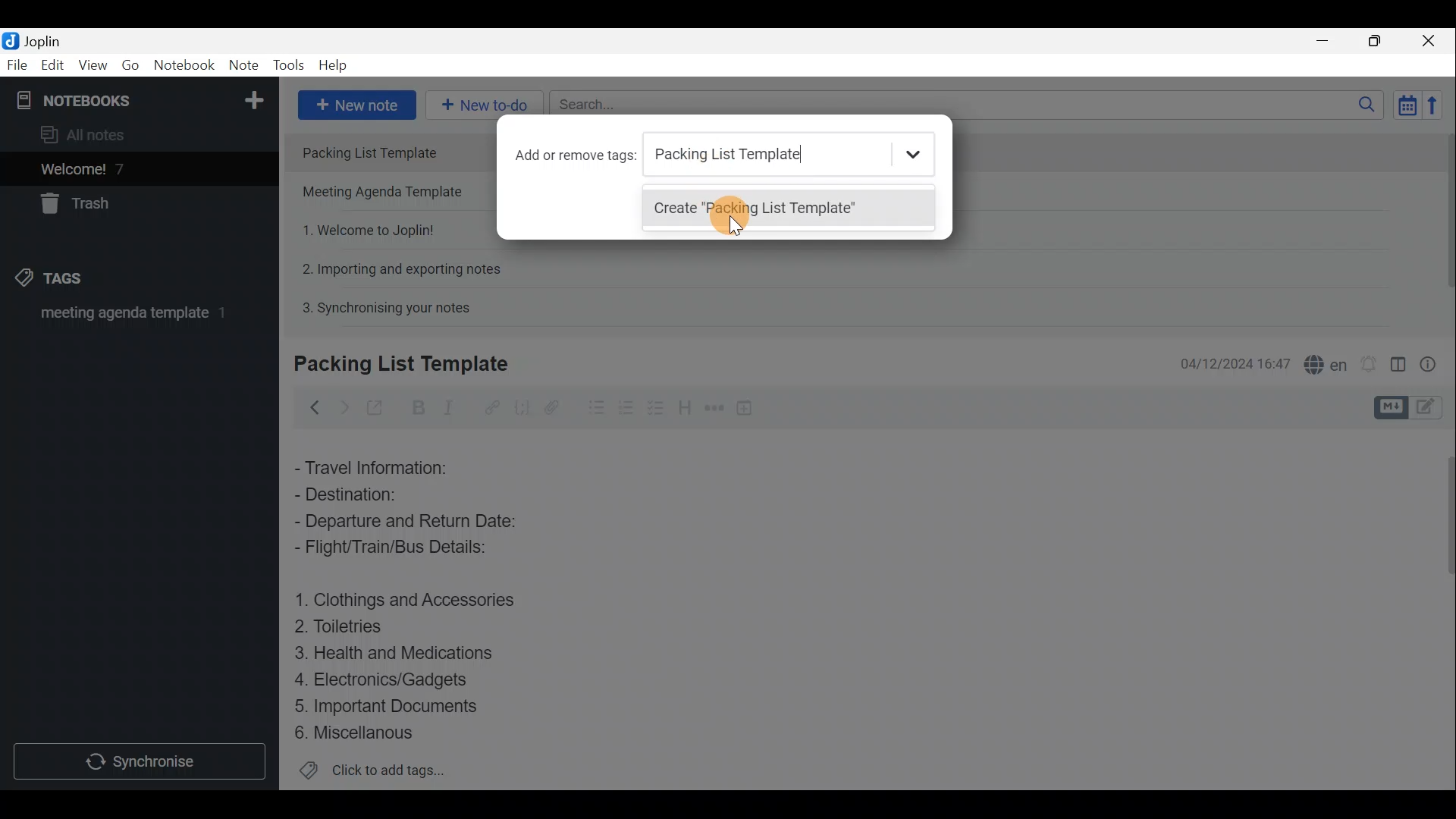 This screenshot has height=819, width=1456. I want to click on Bulleted list, so click(591, 410).